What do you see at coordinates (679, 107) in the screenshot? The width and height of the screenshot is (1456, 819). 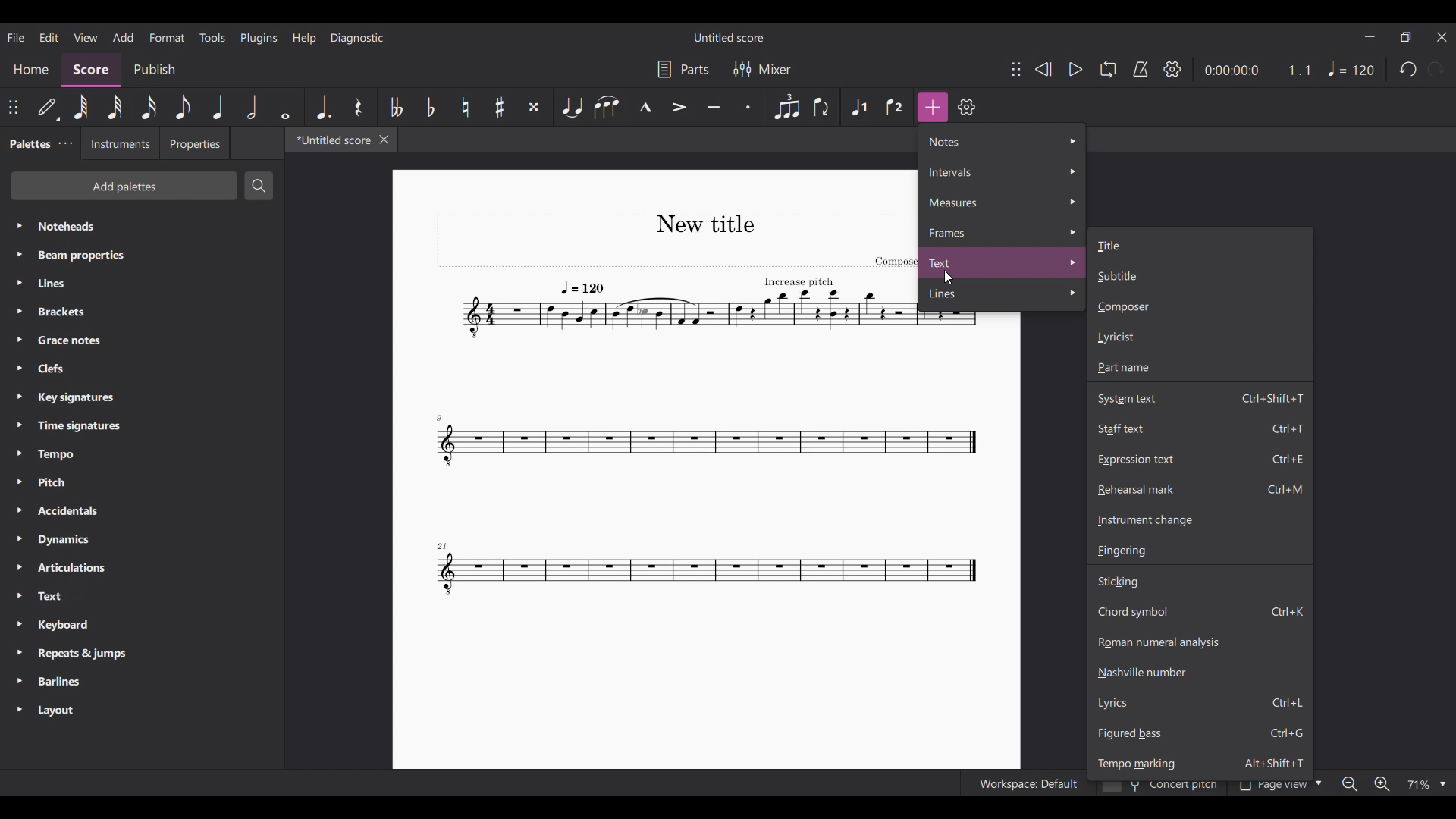 I see `Accent` at bounding box center [679, 107].